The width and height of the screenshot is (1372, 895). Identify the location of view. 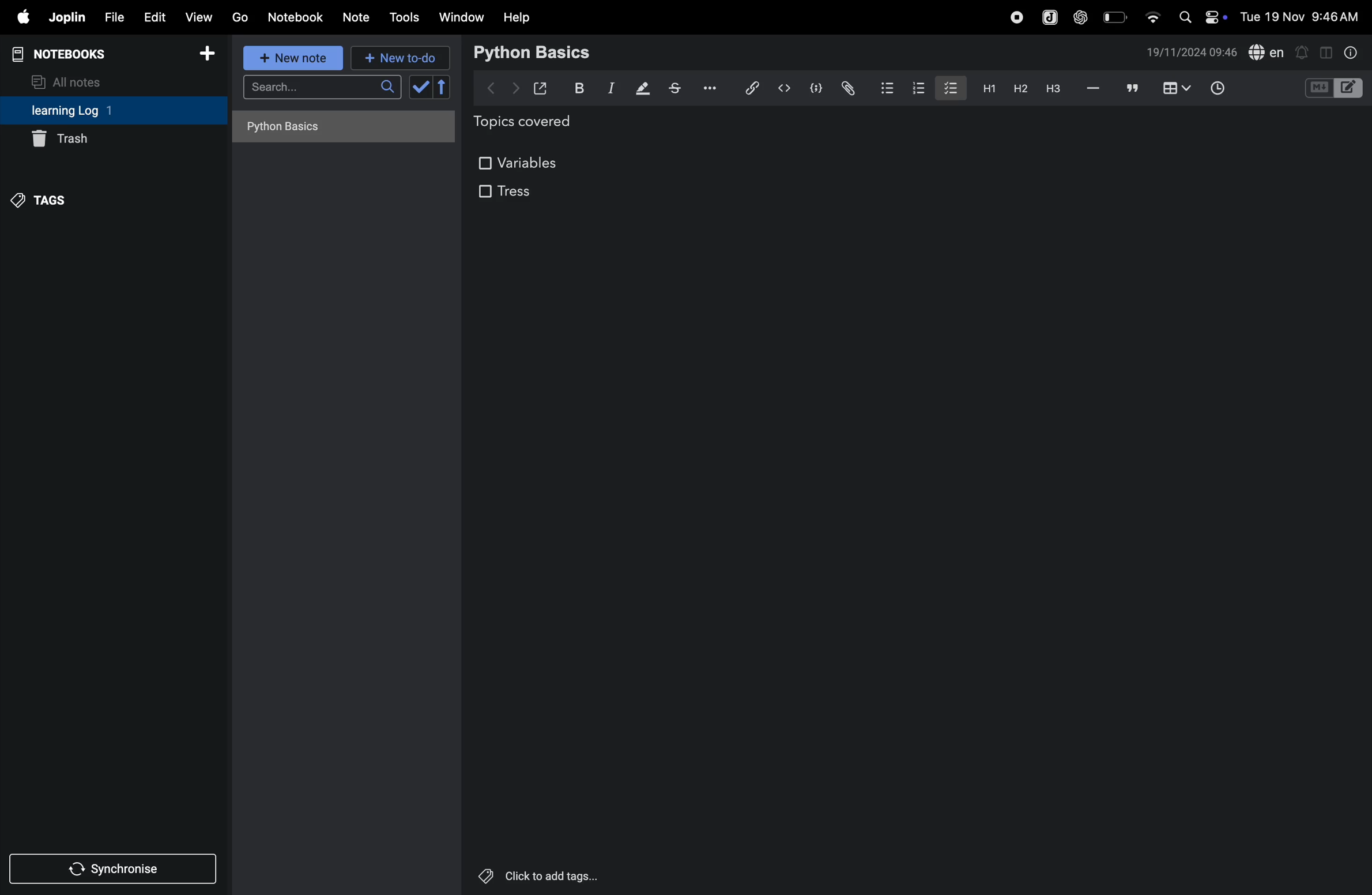
(199, 17).